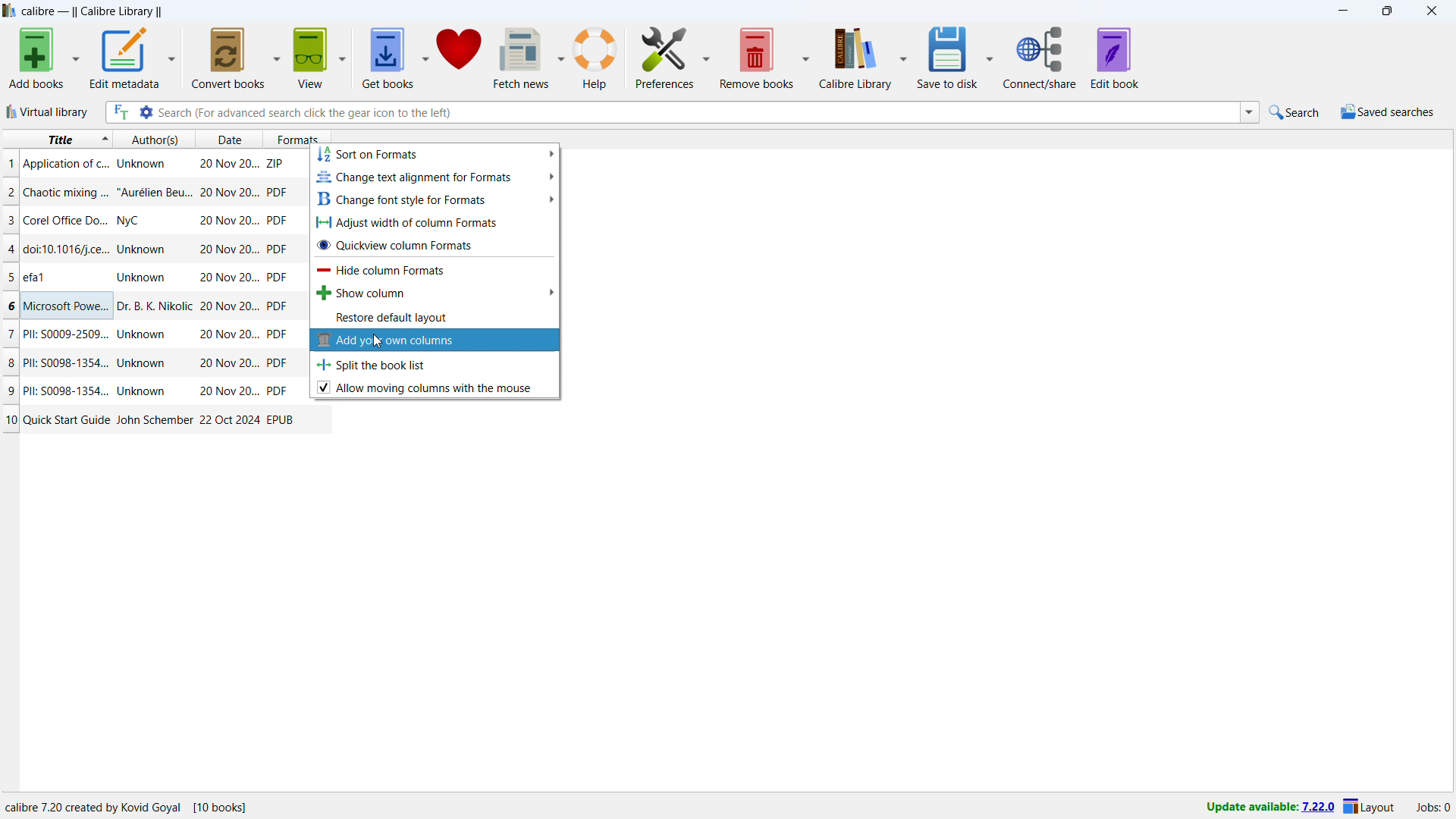 The width and height of the screenshot is (1456, 819). What do you see at coordinates (281, 392) in the screenshot?
I see `PDF` at bounding box center [281, 392].